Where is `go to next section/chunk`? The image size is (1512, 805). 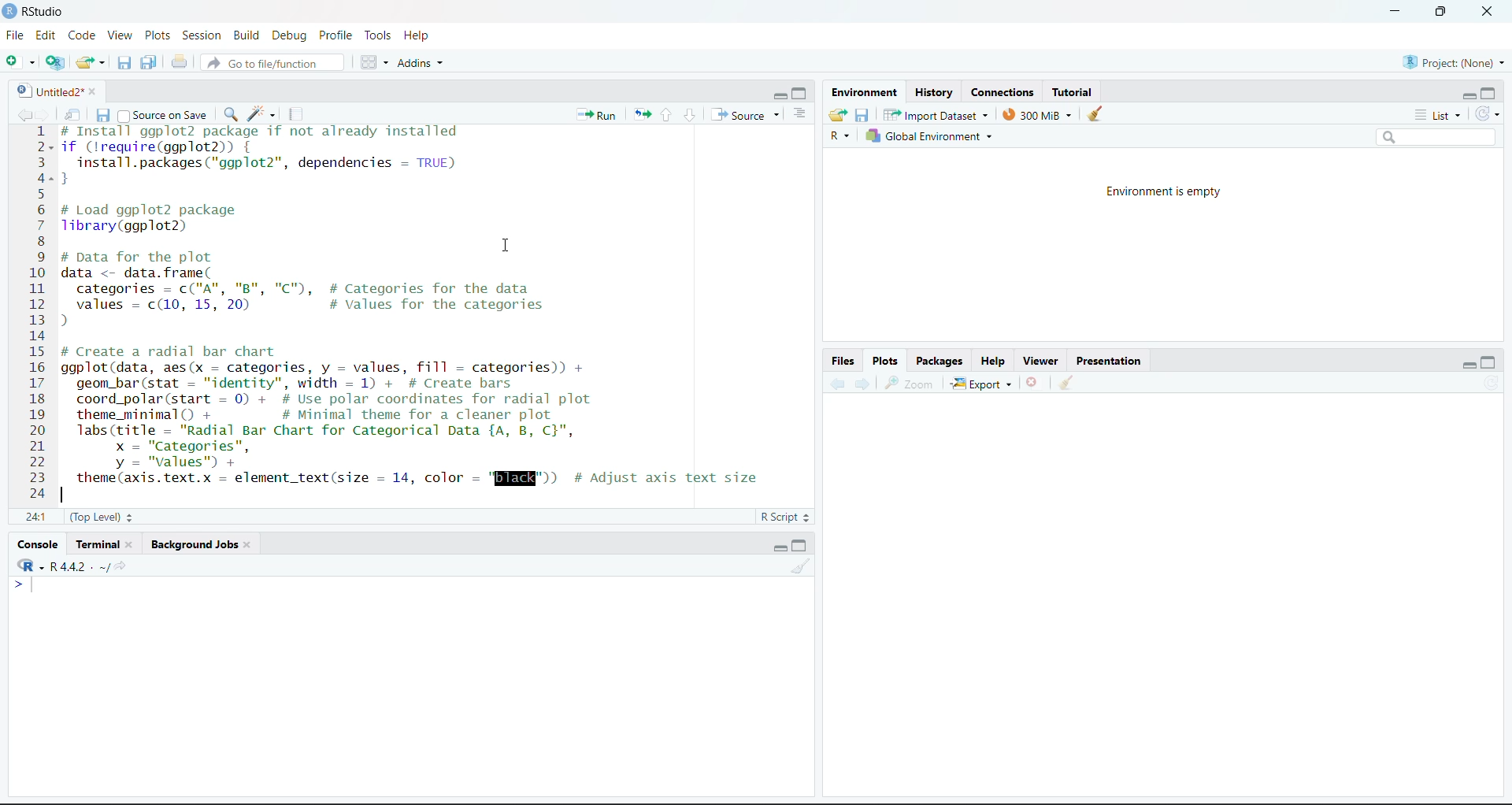 go to next section/chunk is located at coordinates (668, 114).